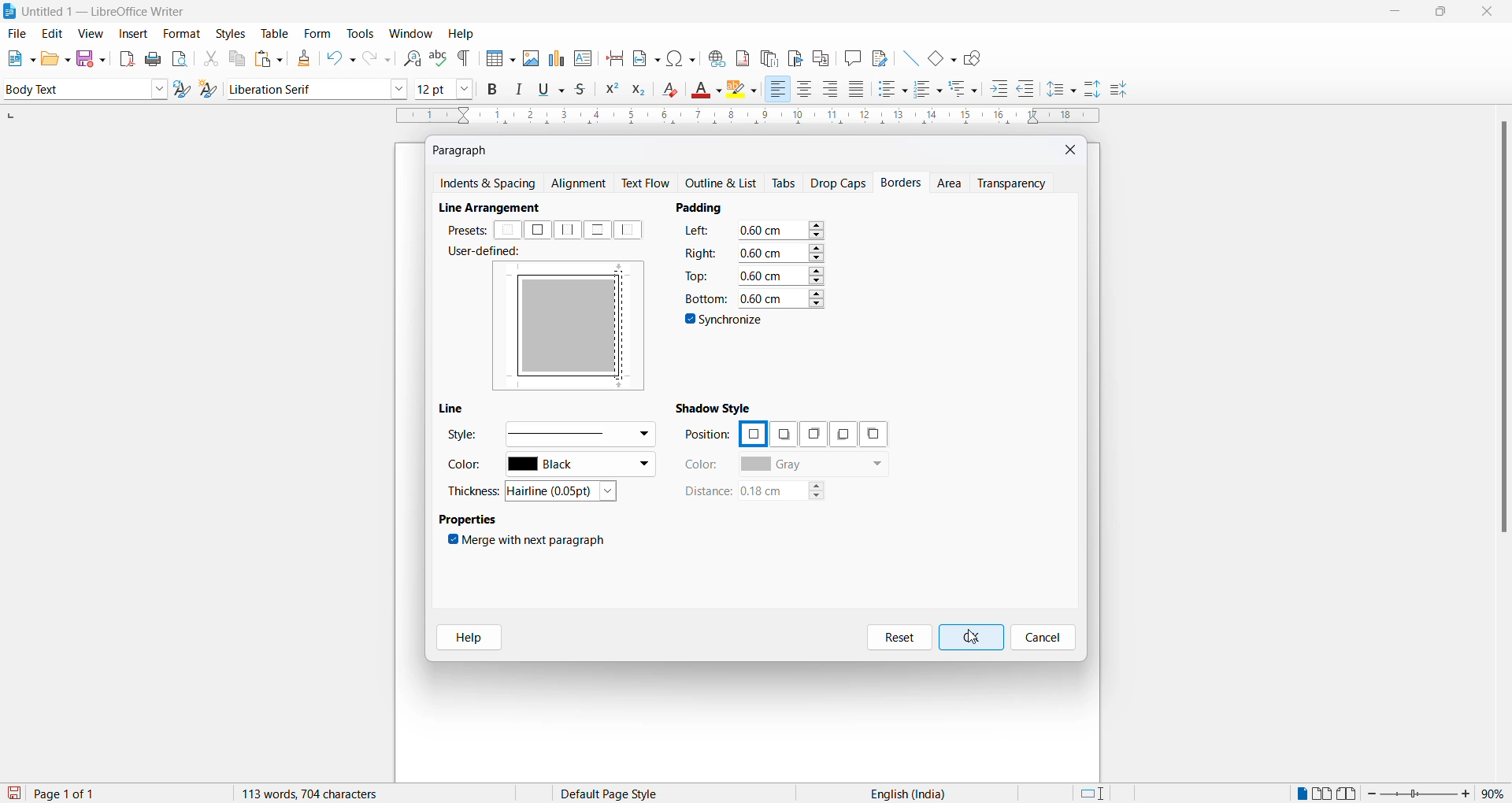 This screenshot has height=803, width=1512. What do you see at coordinates (493, 90) in the screenshot?
I see `bold` at bounding box center [493, 90].